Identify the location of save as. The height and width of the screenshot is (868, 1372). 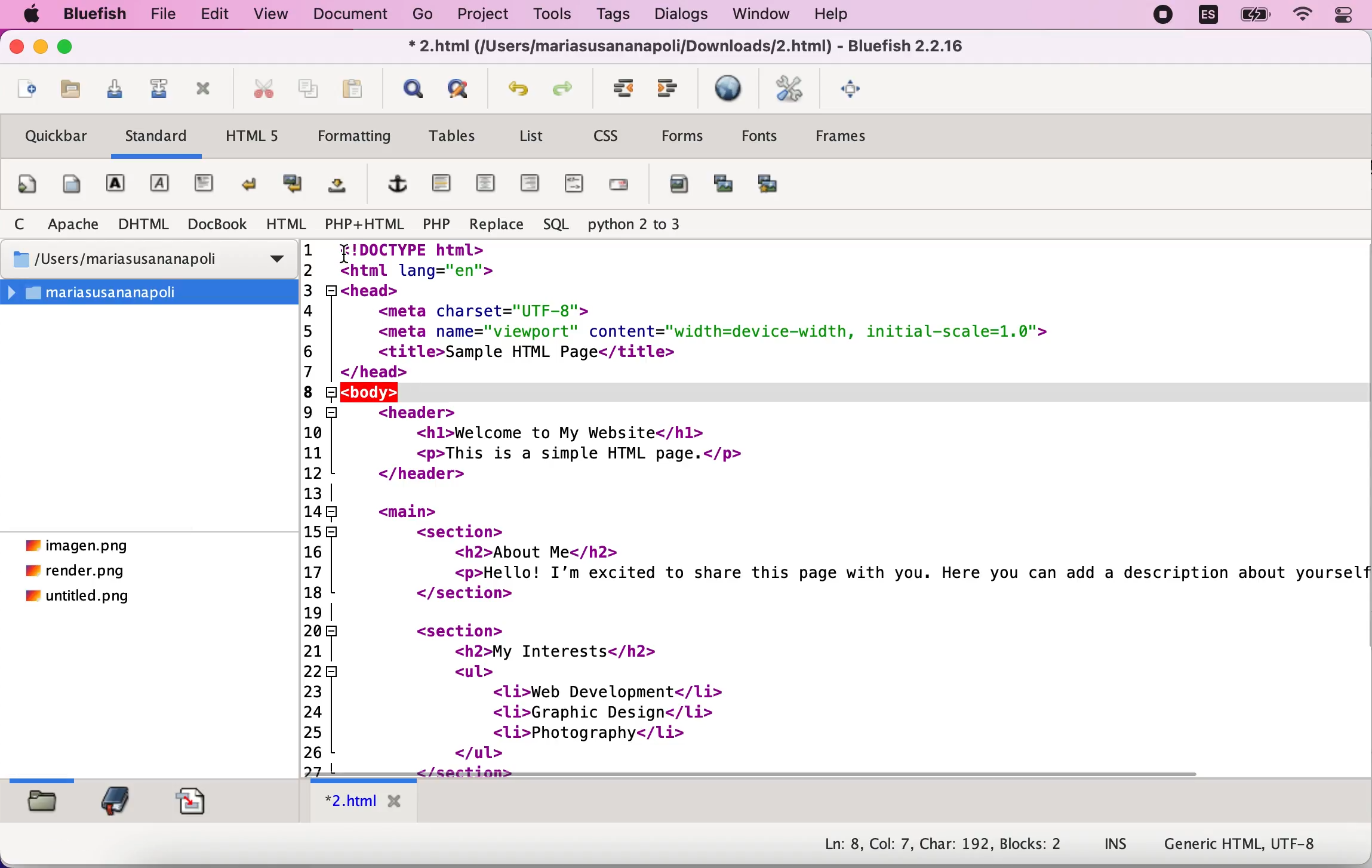
(160, 87).